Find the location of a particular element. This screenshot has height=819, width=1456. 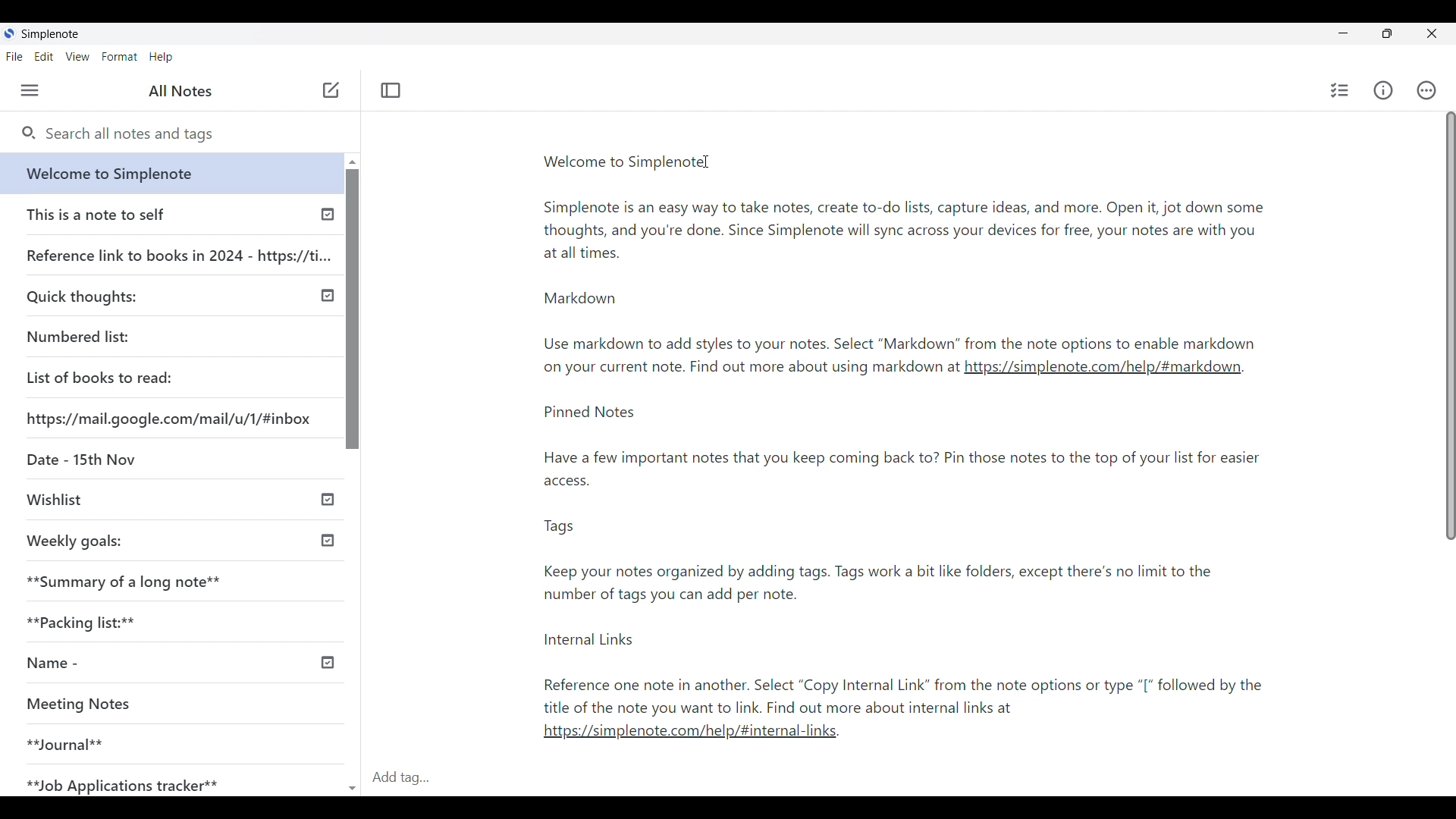

File menu is located at coordinates (15, 56).